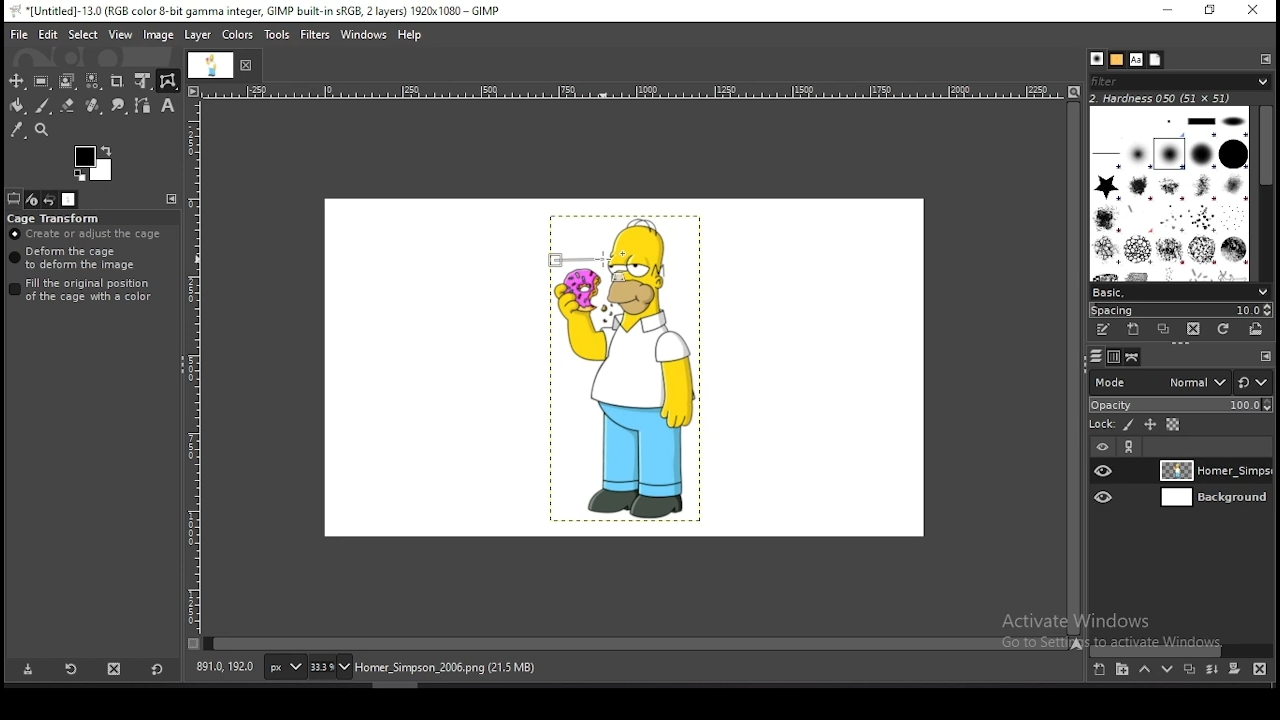  Describe the element at coordinates (41, 129) in the screenshot. I see `zoom tool` at that location.